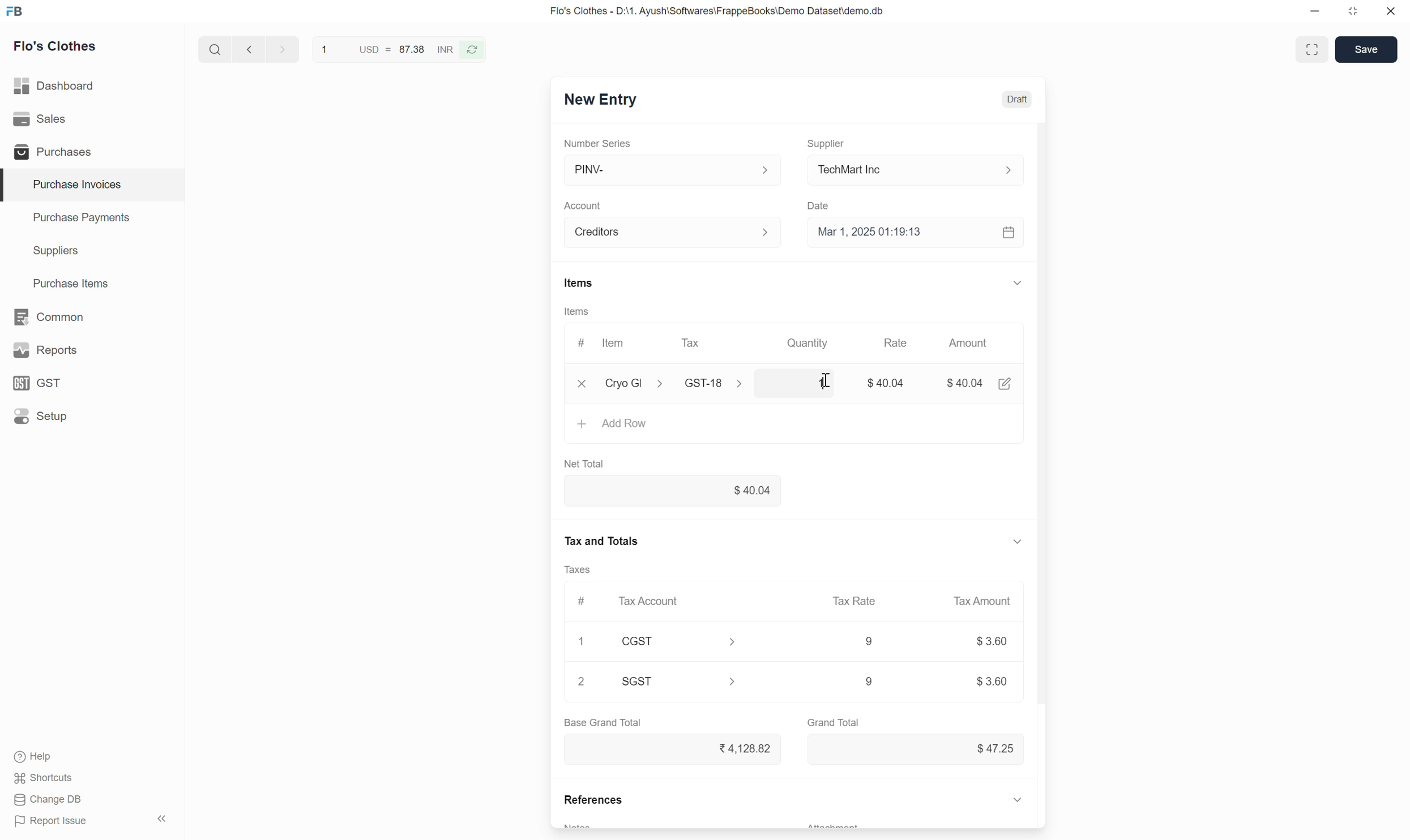 Image resolution: width=1410 pixels, height=840 pixels. What do you see at coordinates (17, 11) in the screenshot?
I see `frappe books logo` at bounding box center [17, 11].